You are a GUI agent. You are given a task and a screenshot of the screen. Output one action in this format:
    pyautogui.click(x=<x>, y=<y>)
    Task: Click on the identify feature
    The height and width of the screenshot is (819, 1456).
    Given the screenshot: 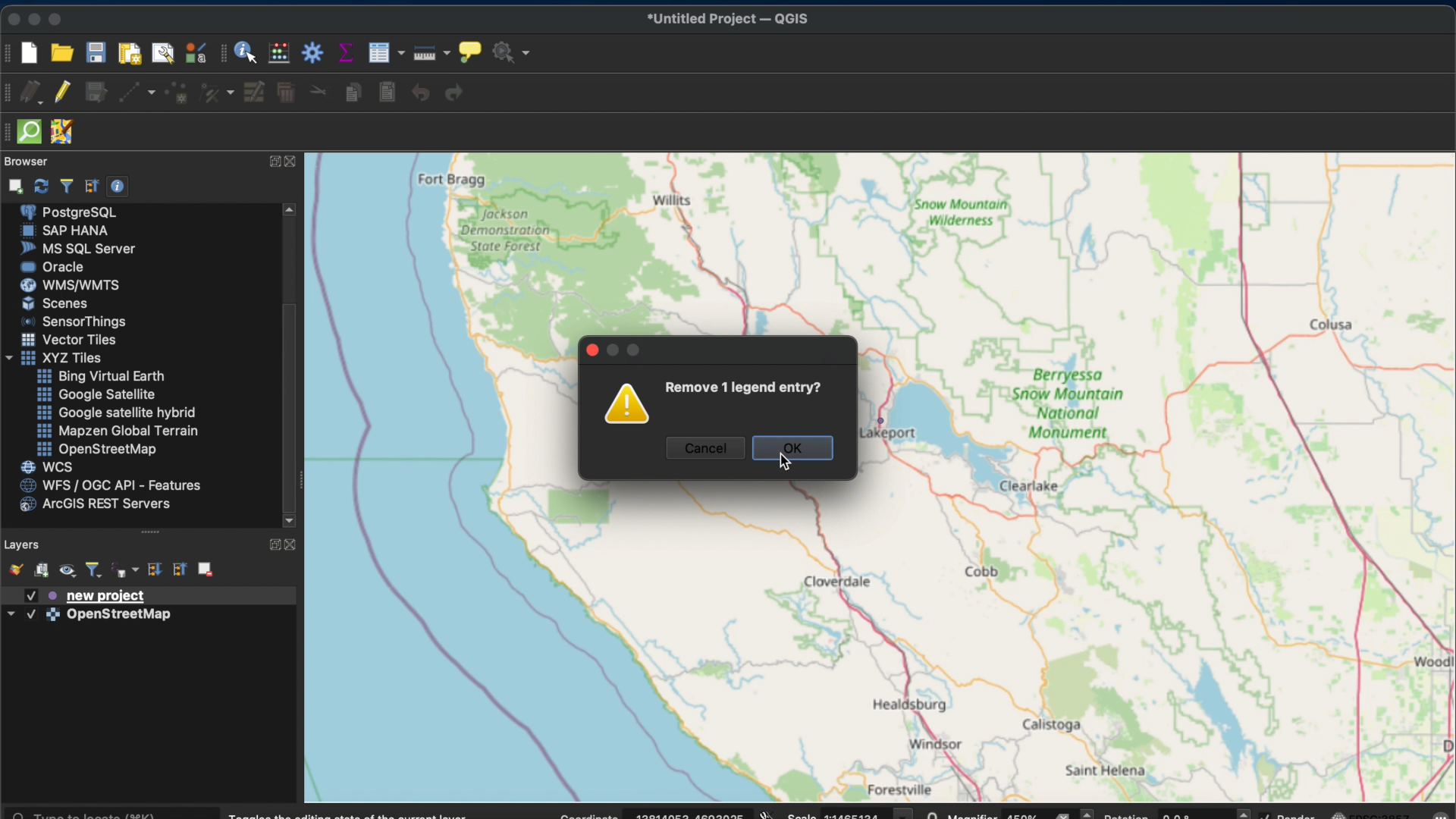 What is the action you would take?
    pyautogui.click(x=247, y=52)
    